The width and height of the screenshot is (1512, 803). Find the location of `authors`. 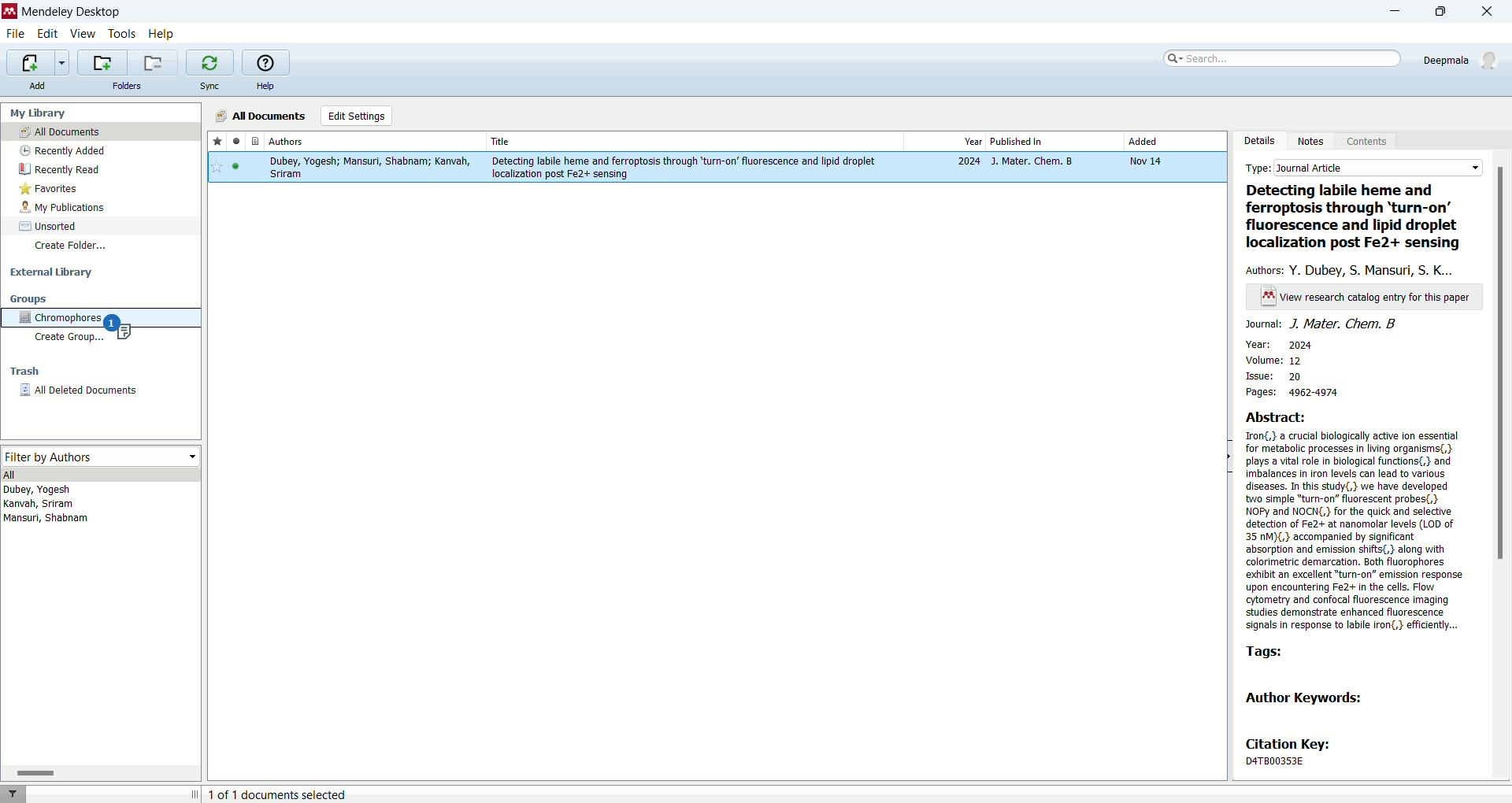

authors is located at coordinates (375, 142).